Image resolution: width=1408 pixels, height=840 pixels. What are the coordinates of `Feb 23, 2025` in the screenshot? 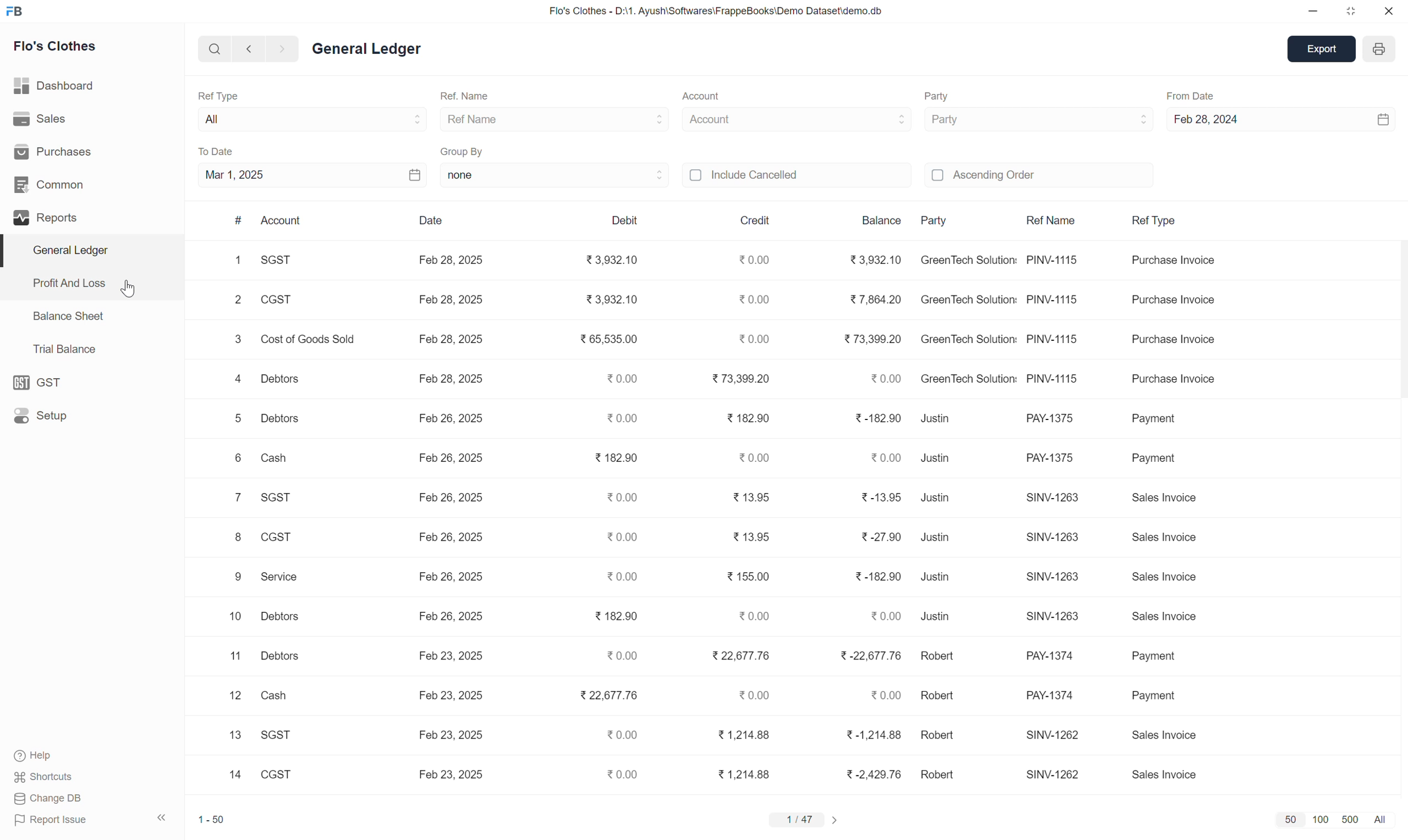 It's located at (447, 693).